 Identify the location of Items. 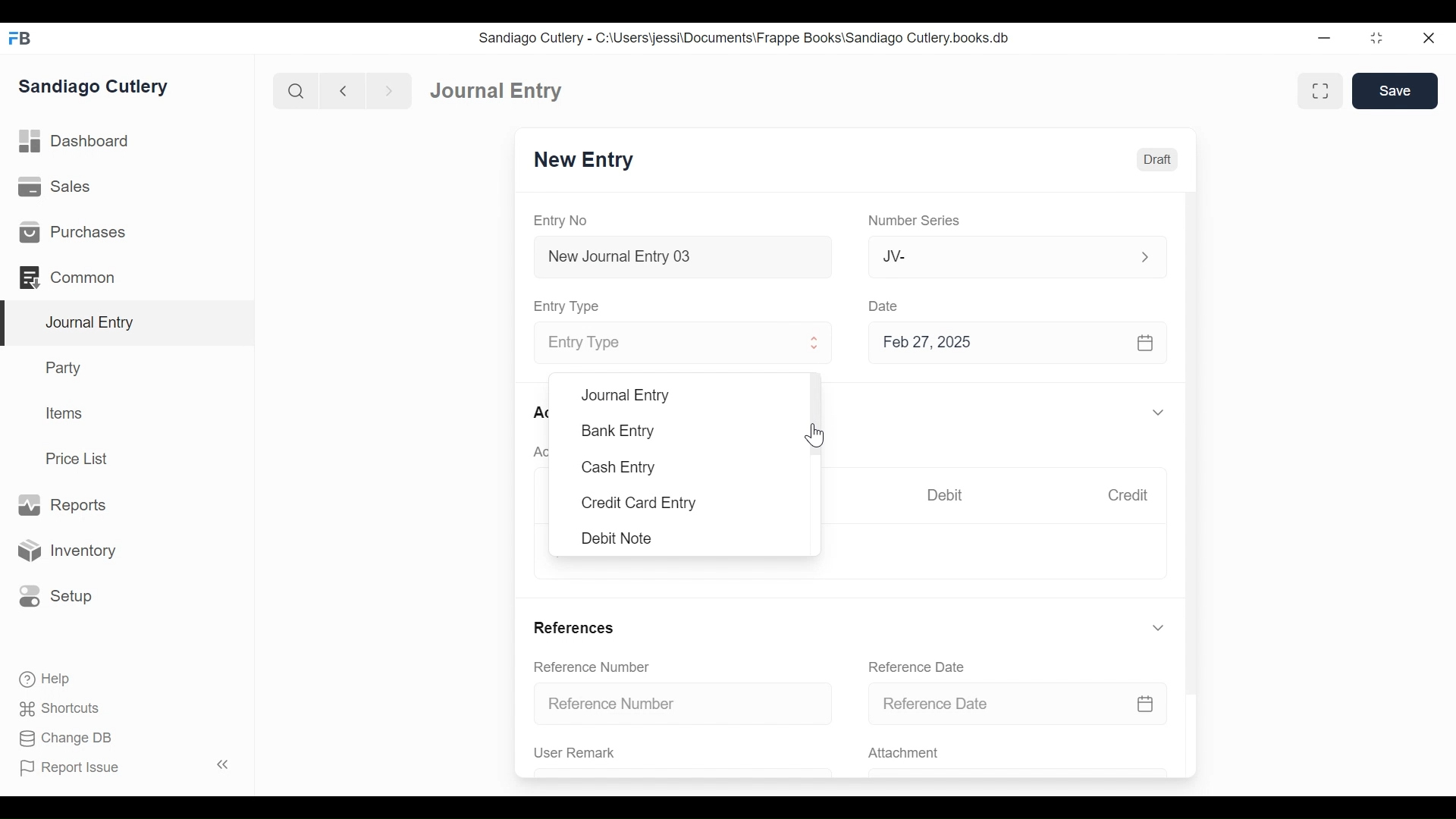
(62, 413).